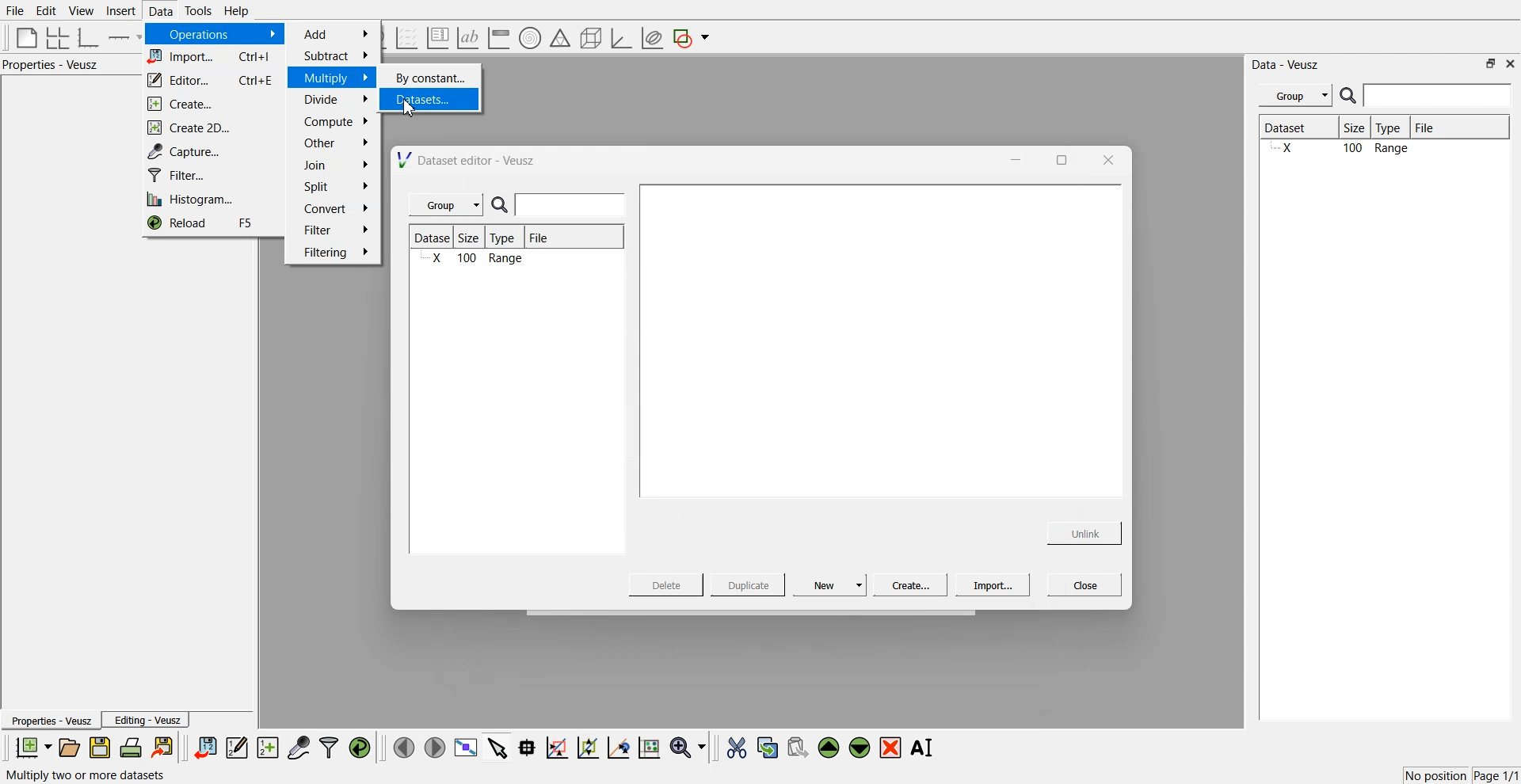  Describe the element at coordinates (334, 208) in the screenshot. I see `Convert` at that location.